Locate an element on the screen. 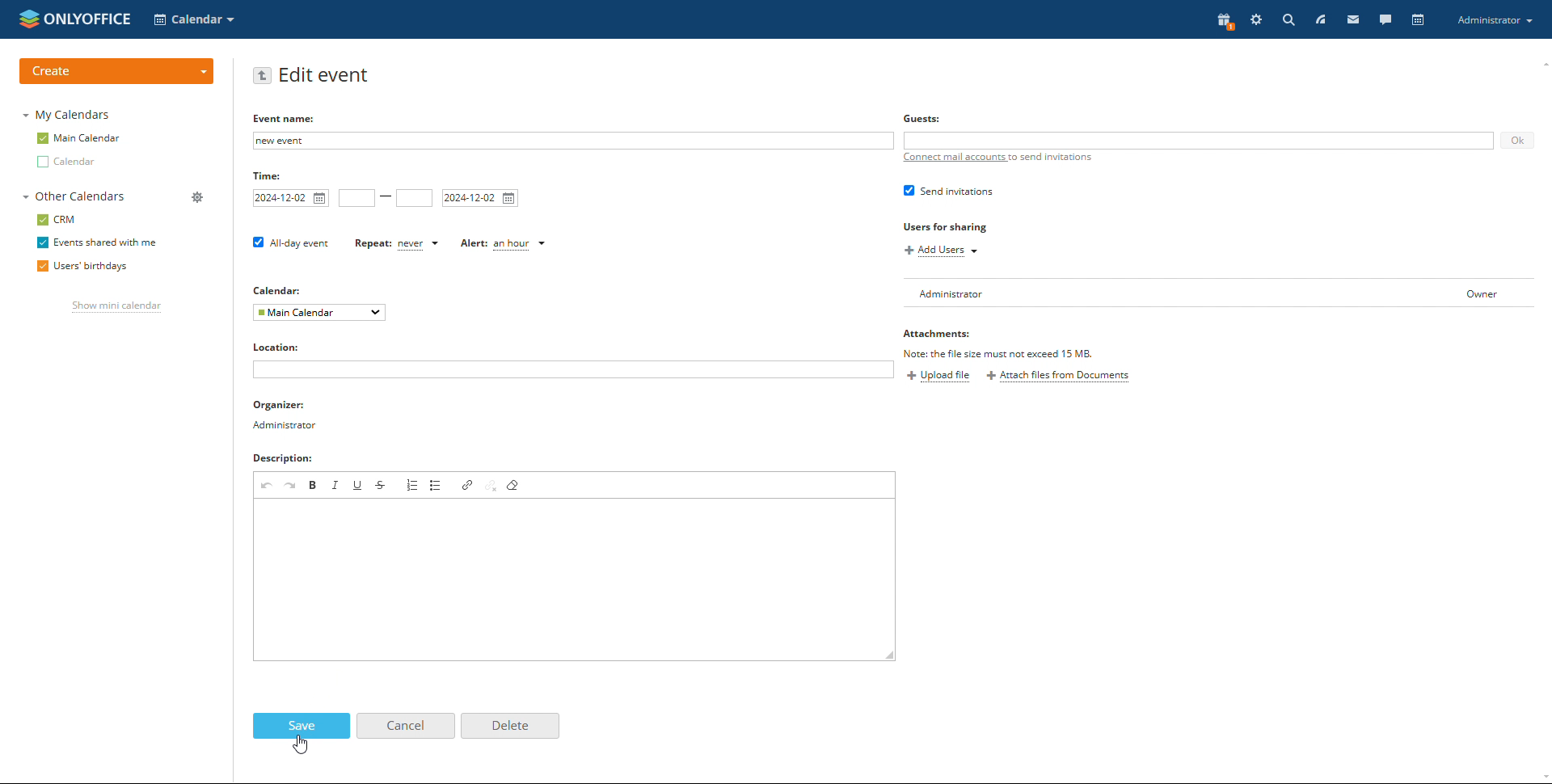 This screenshot has width=1552, height=784. crm is located at coordinates (54, 219).